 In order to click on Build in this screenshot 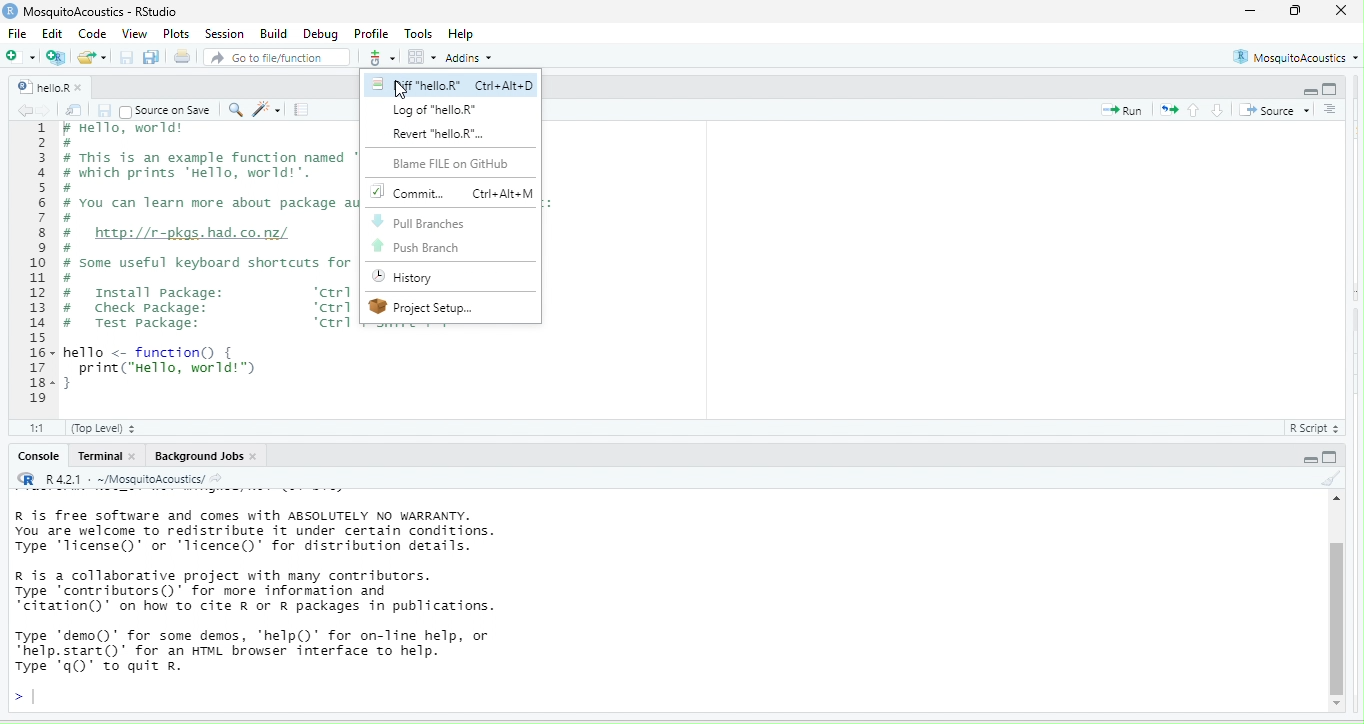, I will do `click(271, 35)`.